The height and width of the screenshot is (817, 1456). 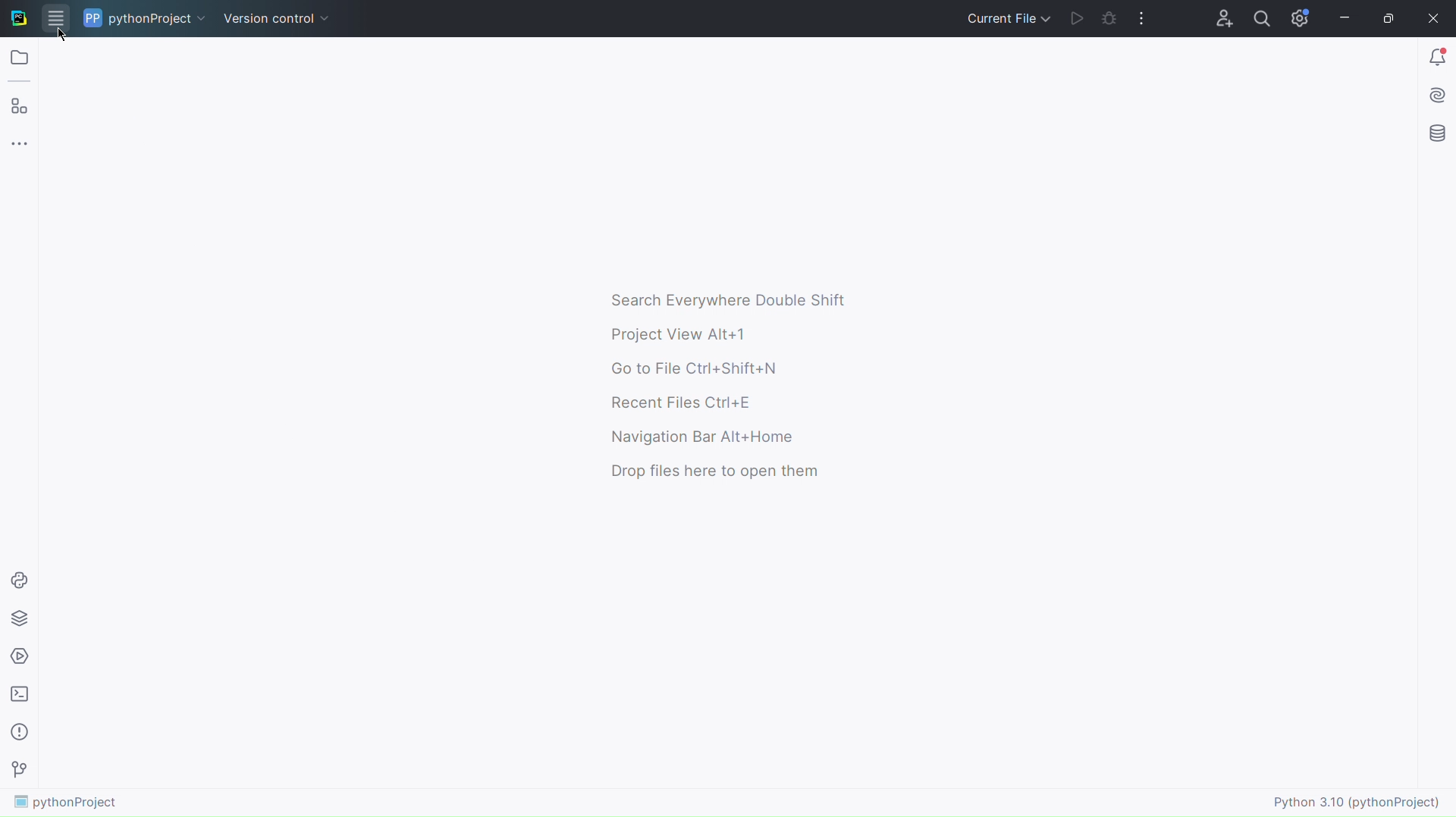 I want to click on Cursor , so click(x=65, y=36).